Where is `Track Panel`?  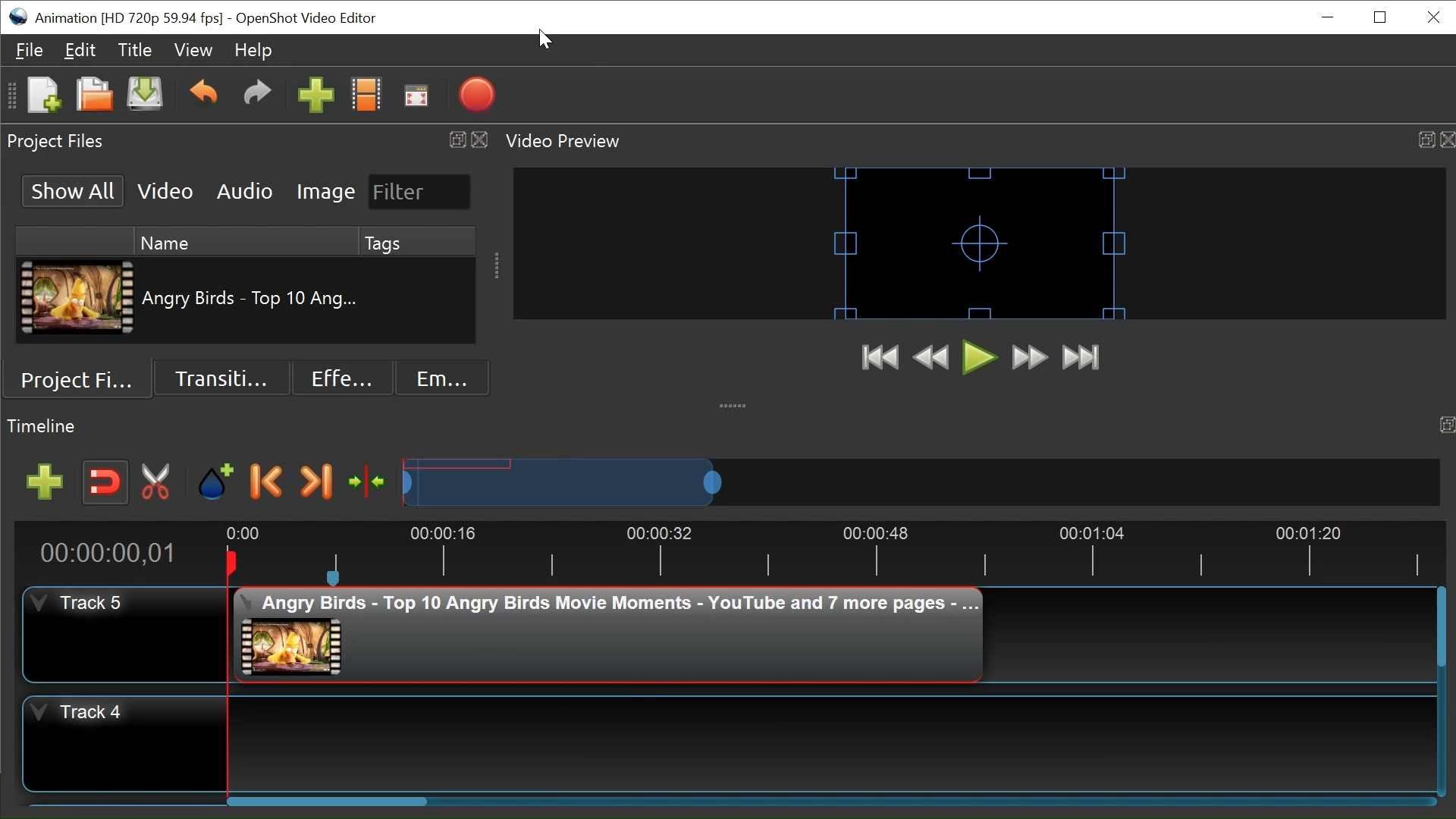
Track Panel is located at coordinates (832, 742).